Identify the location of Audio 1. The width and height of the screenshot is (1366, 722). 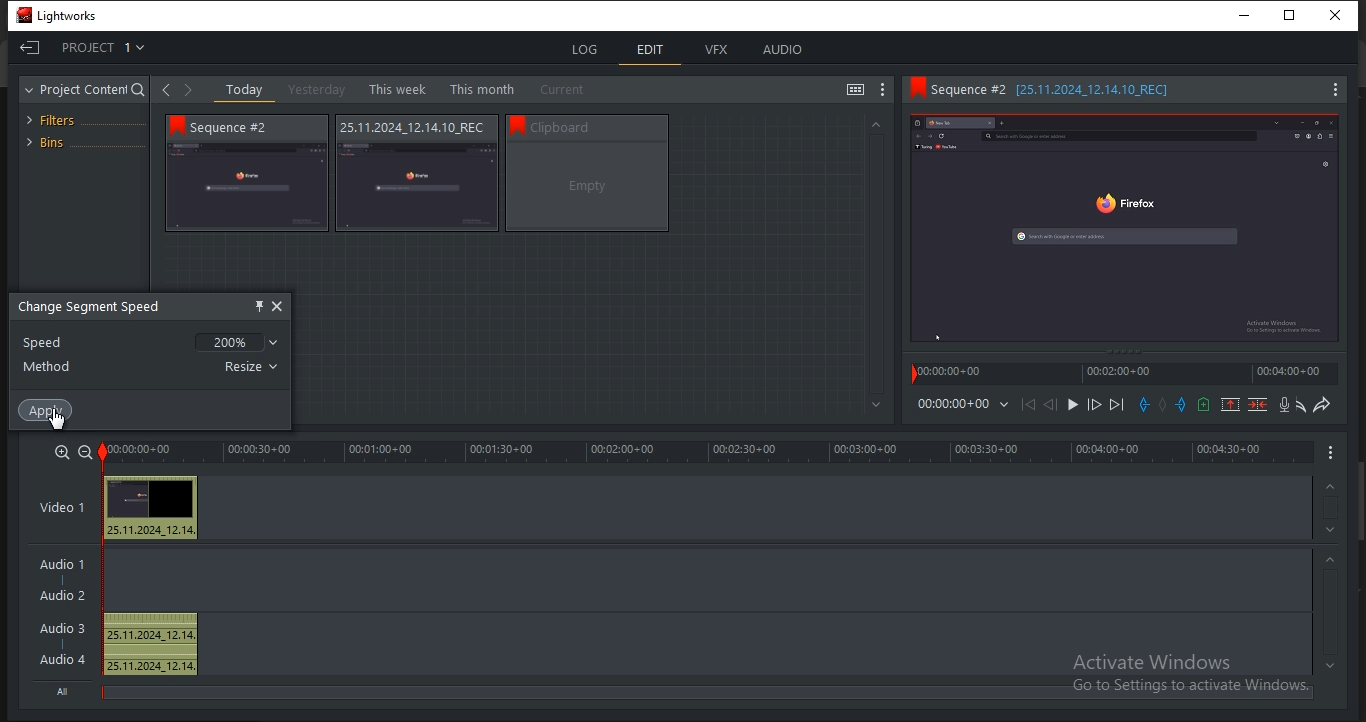
(66, 568).